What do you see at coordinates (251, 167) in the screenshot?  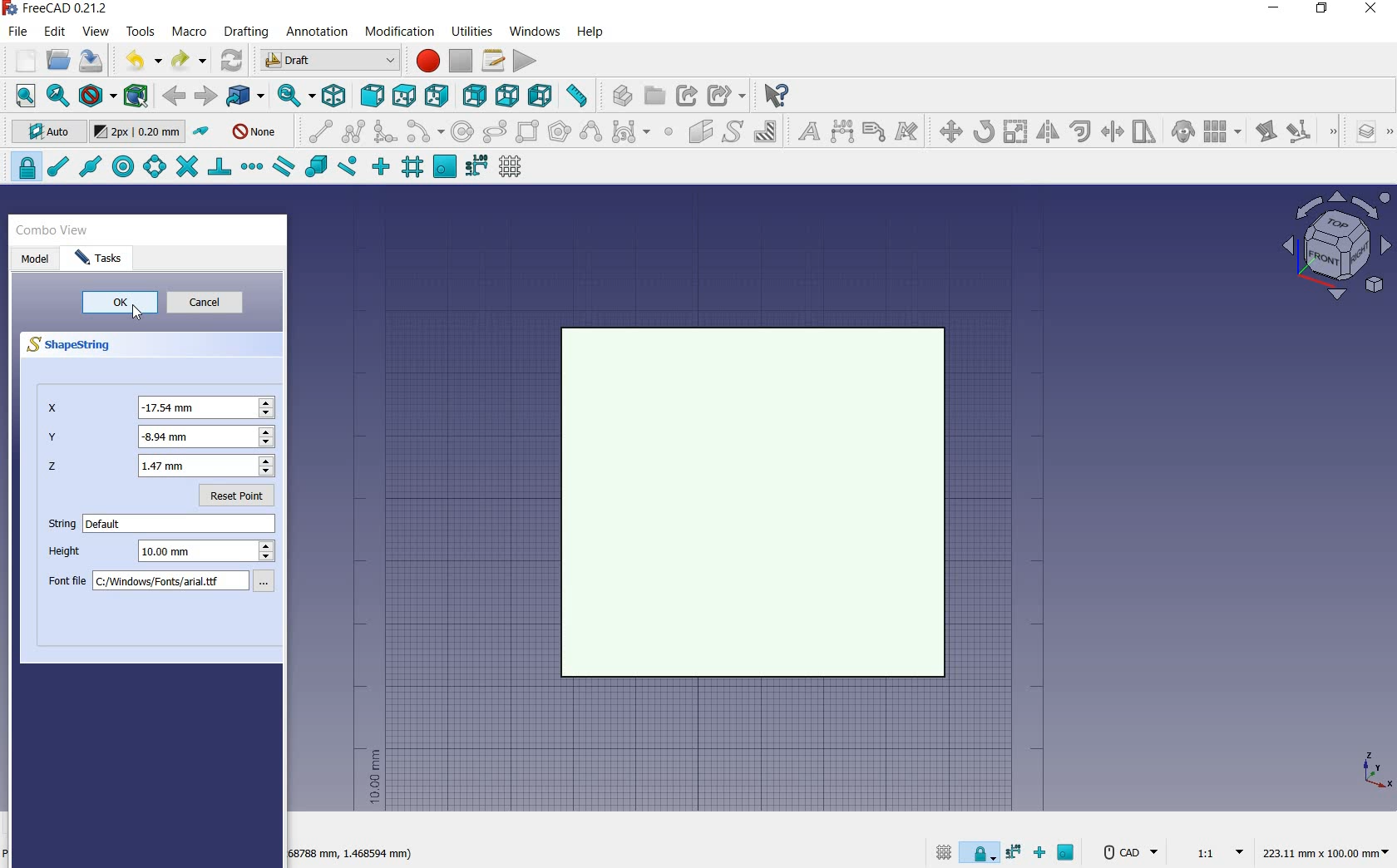 I see `snap extension` at bounding box center [251, 167].